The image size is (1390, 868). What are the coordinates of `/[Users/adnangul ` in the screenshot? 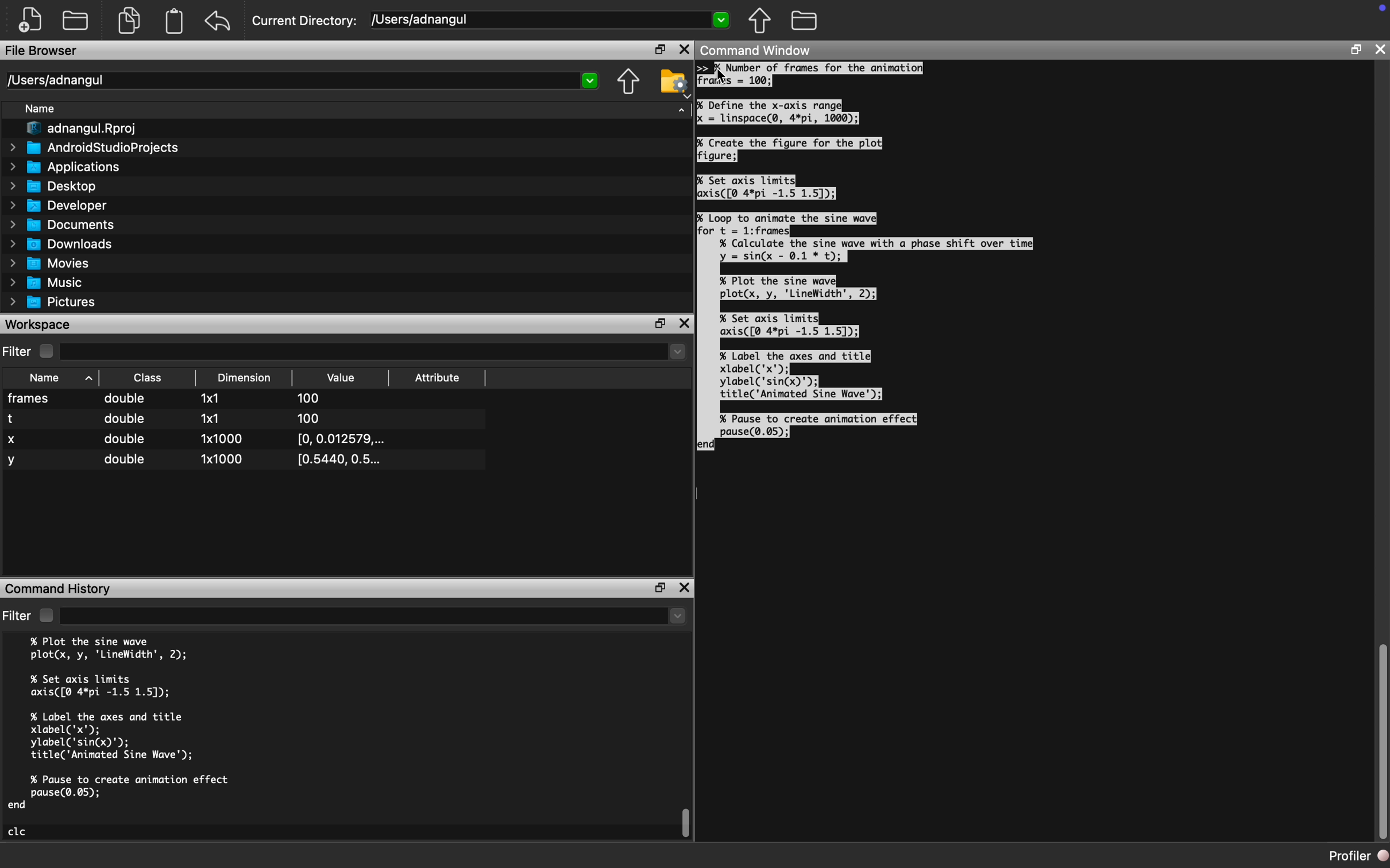 It's located at (551, 19).